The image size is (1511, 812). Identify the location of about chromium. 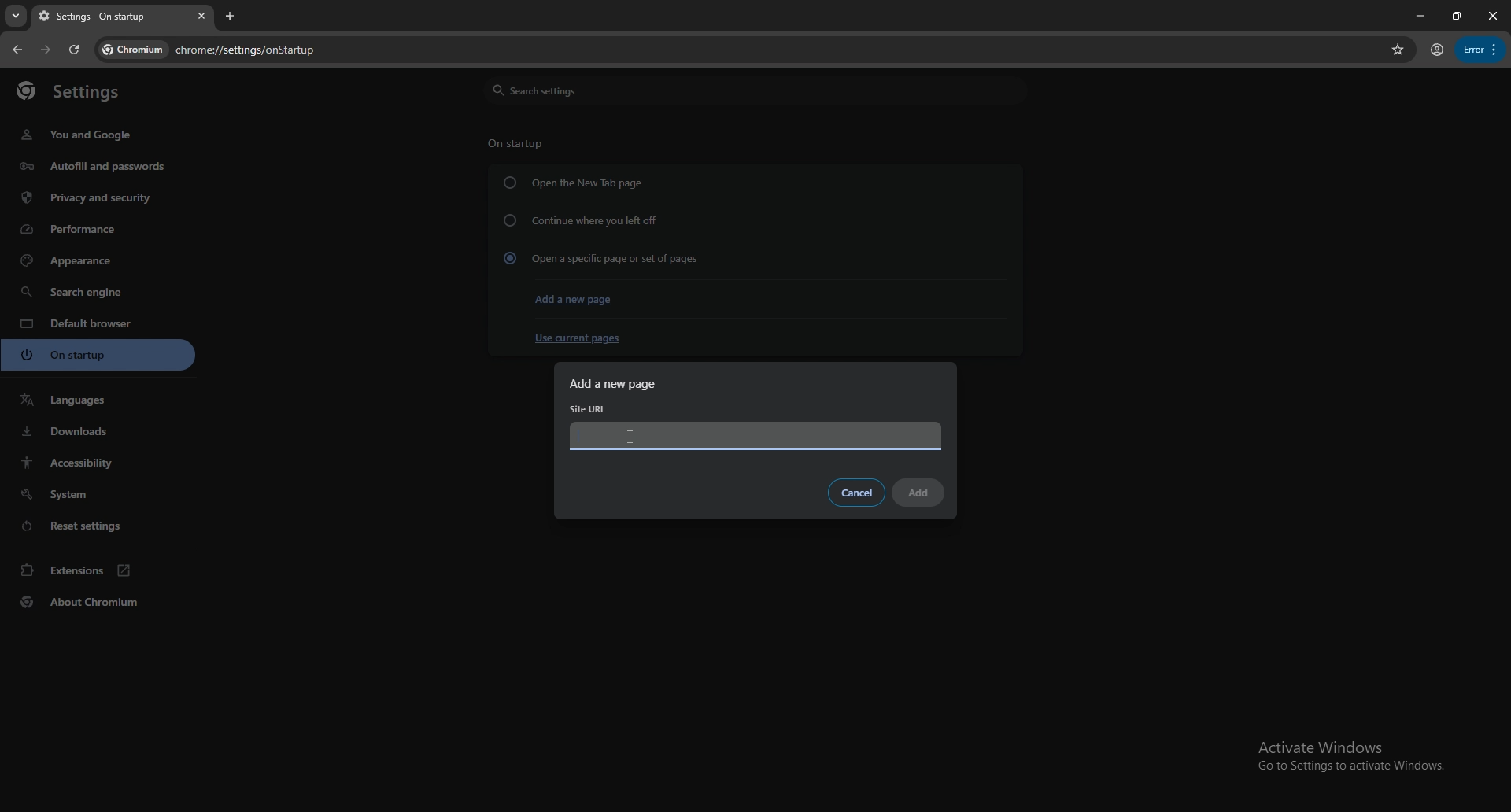
(99, 602).